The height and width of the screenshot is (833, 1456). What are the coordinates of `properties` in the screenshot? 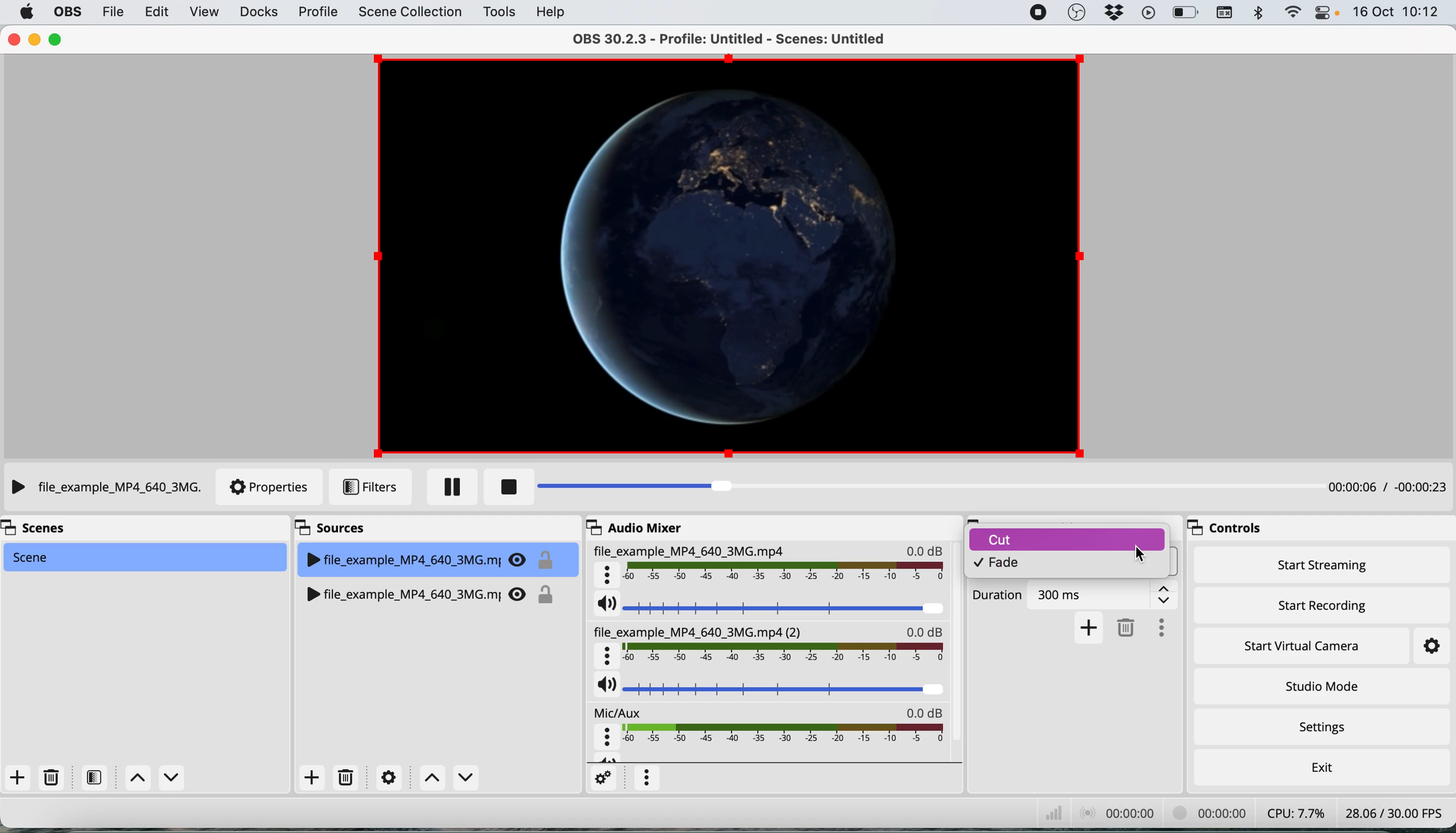 It's located at (272, 489).